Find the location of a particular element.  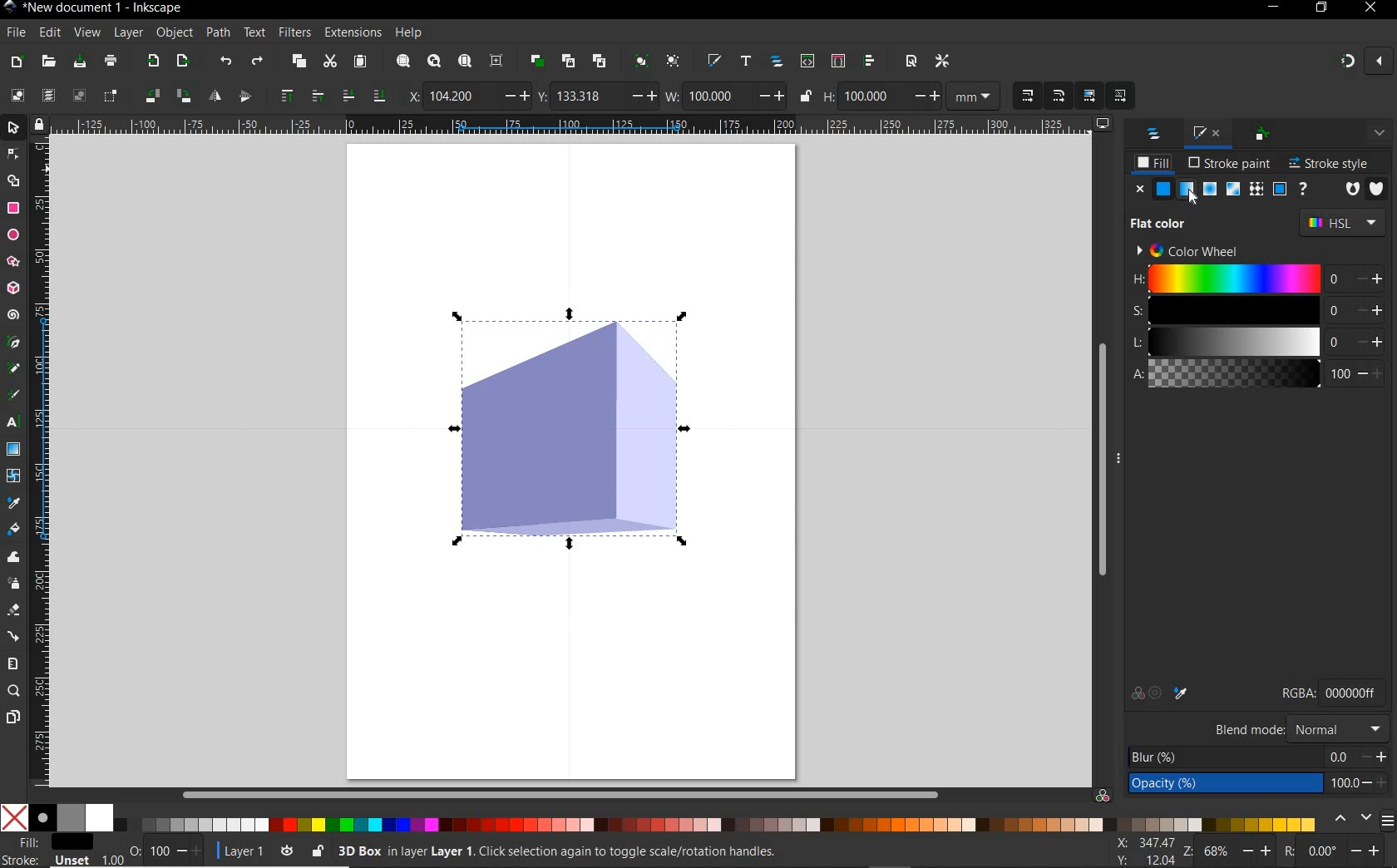

SPRAY TOOL is located at coordinates (14, 584).